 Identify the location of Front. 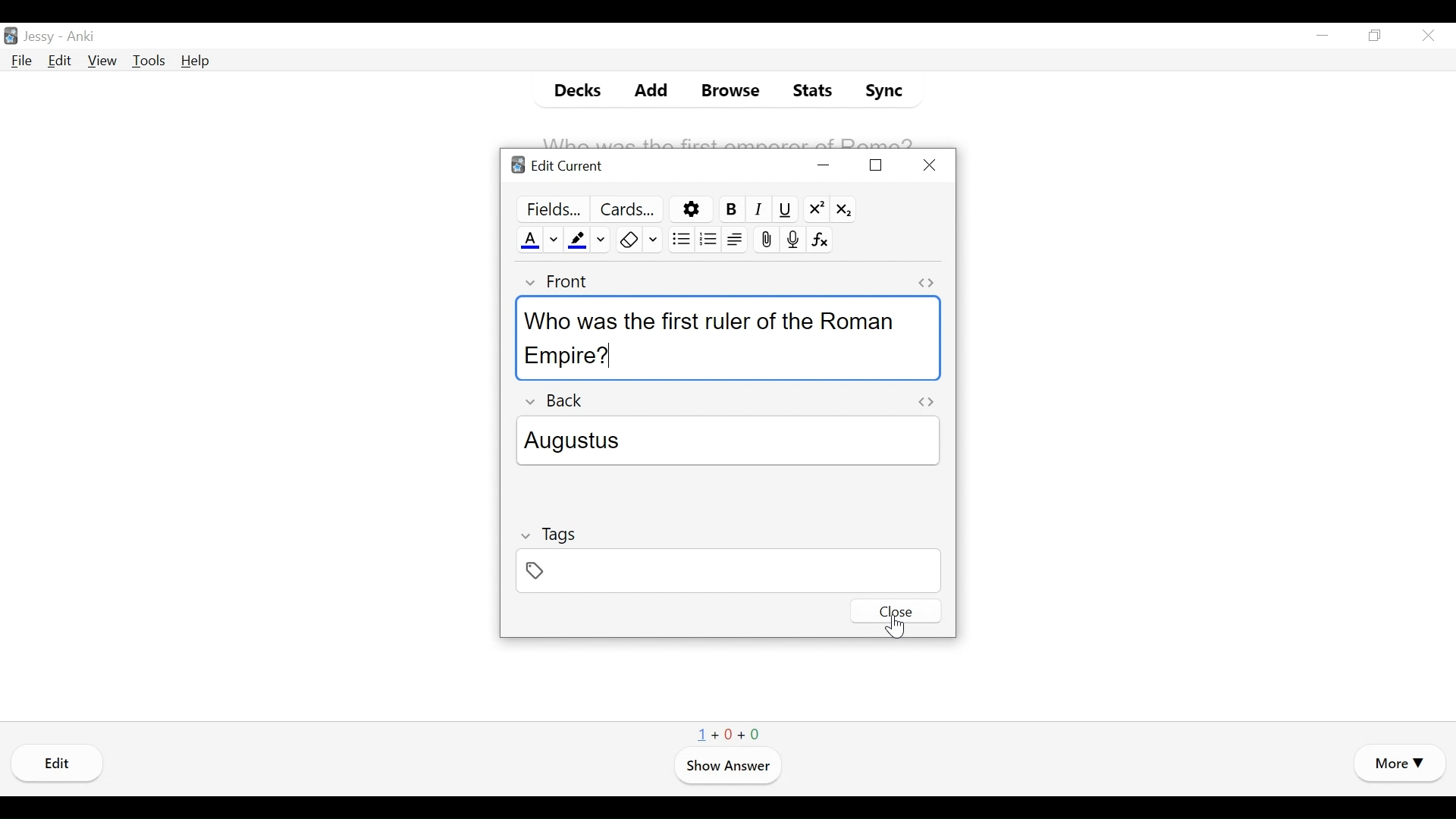
(554, 282).